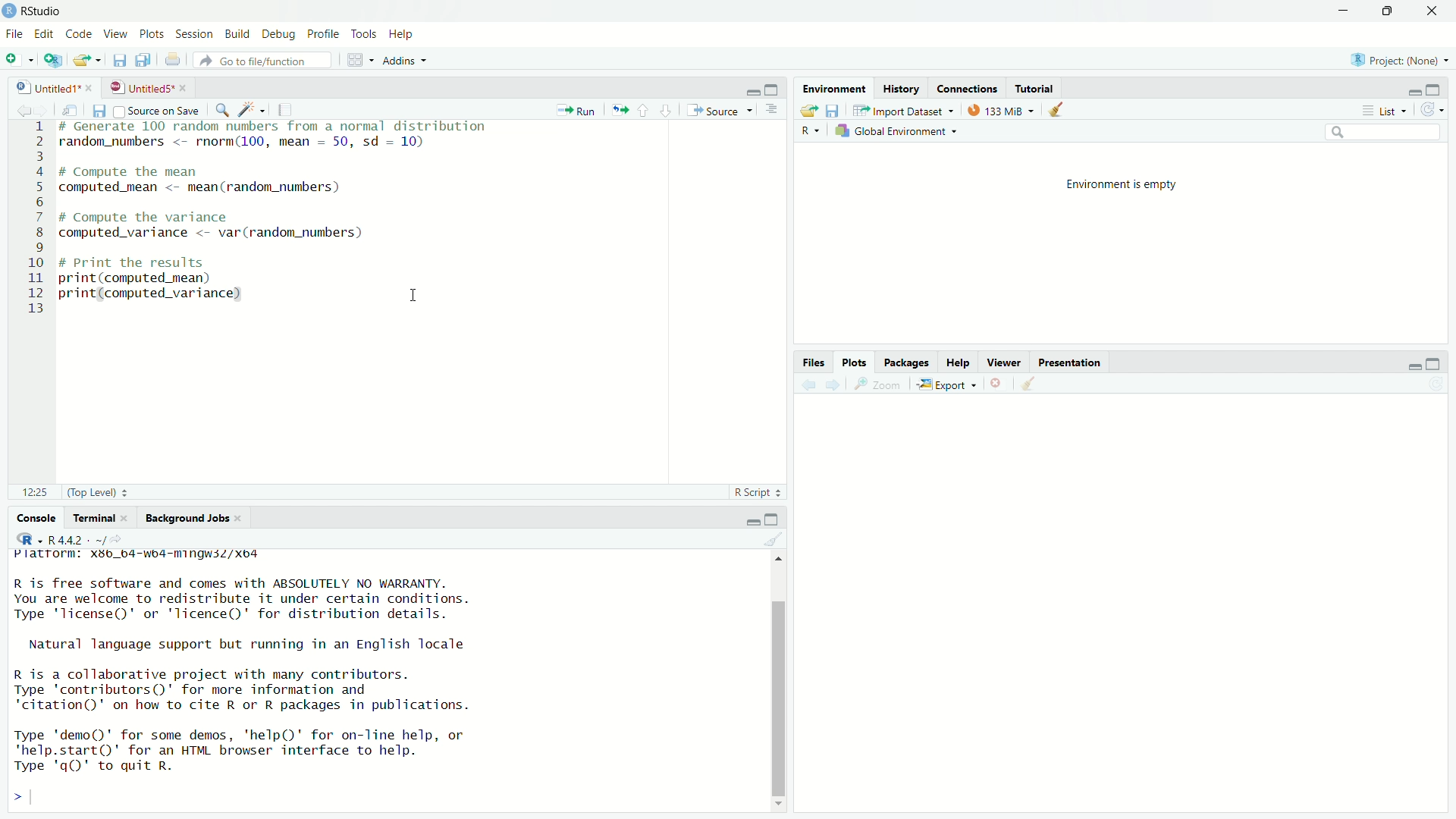  What do you see at coordinates (99, 110) in the screenshot?
I see `save current document` at bounding box center [99, 110].